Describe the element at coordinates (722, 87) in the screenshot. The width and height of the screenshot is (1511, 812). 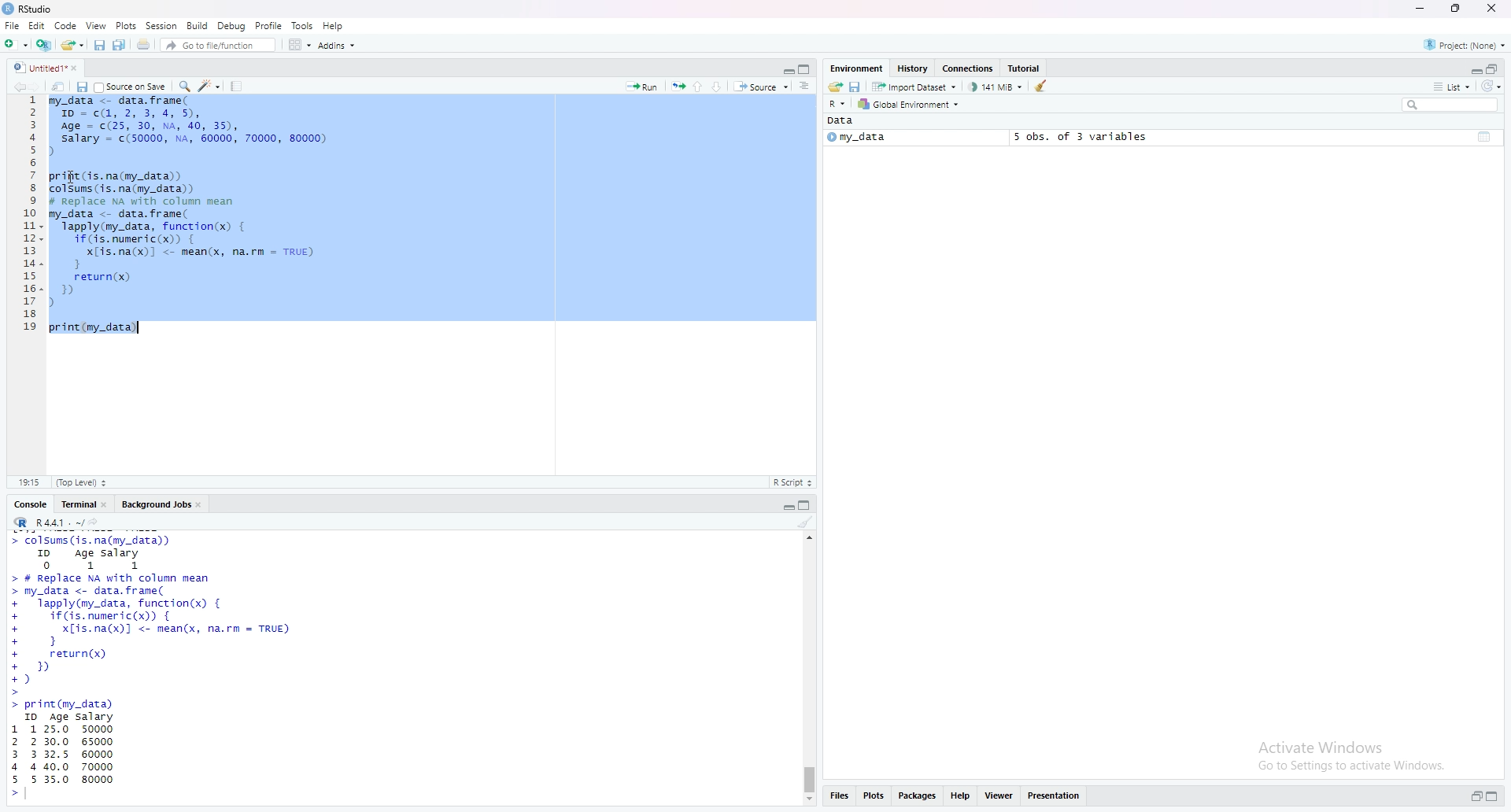
I see `go to the next section` at that location.